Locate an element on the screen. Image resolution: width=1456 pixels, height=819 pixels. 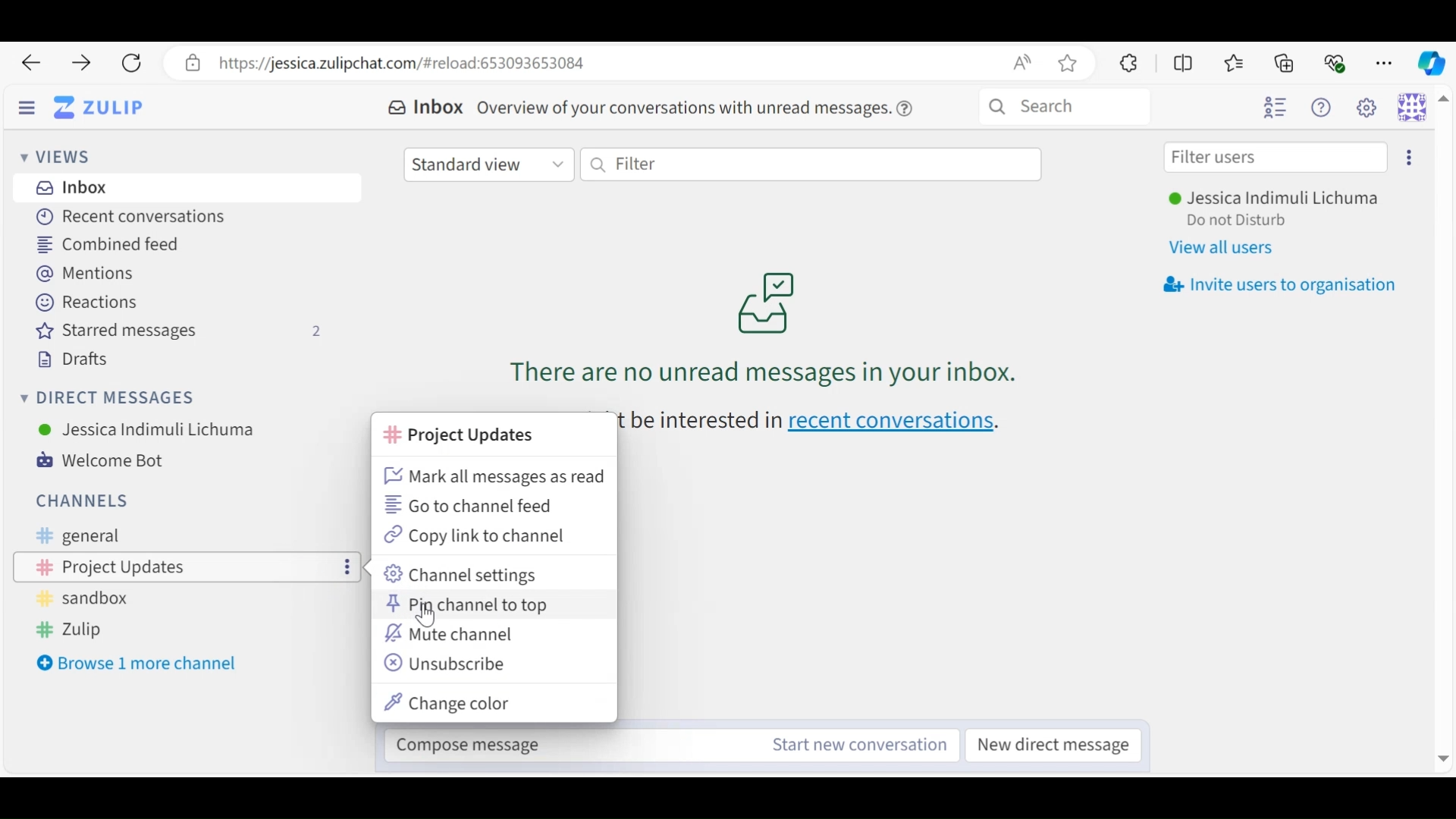
Channel setttings is located at coordinates (465, 574).